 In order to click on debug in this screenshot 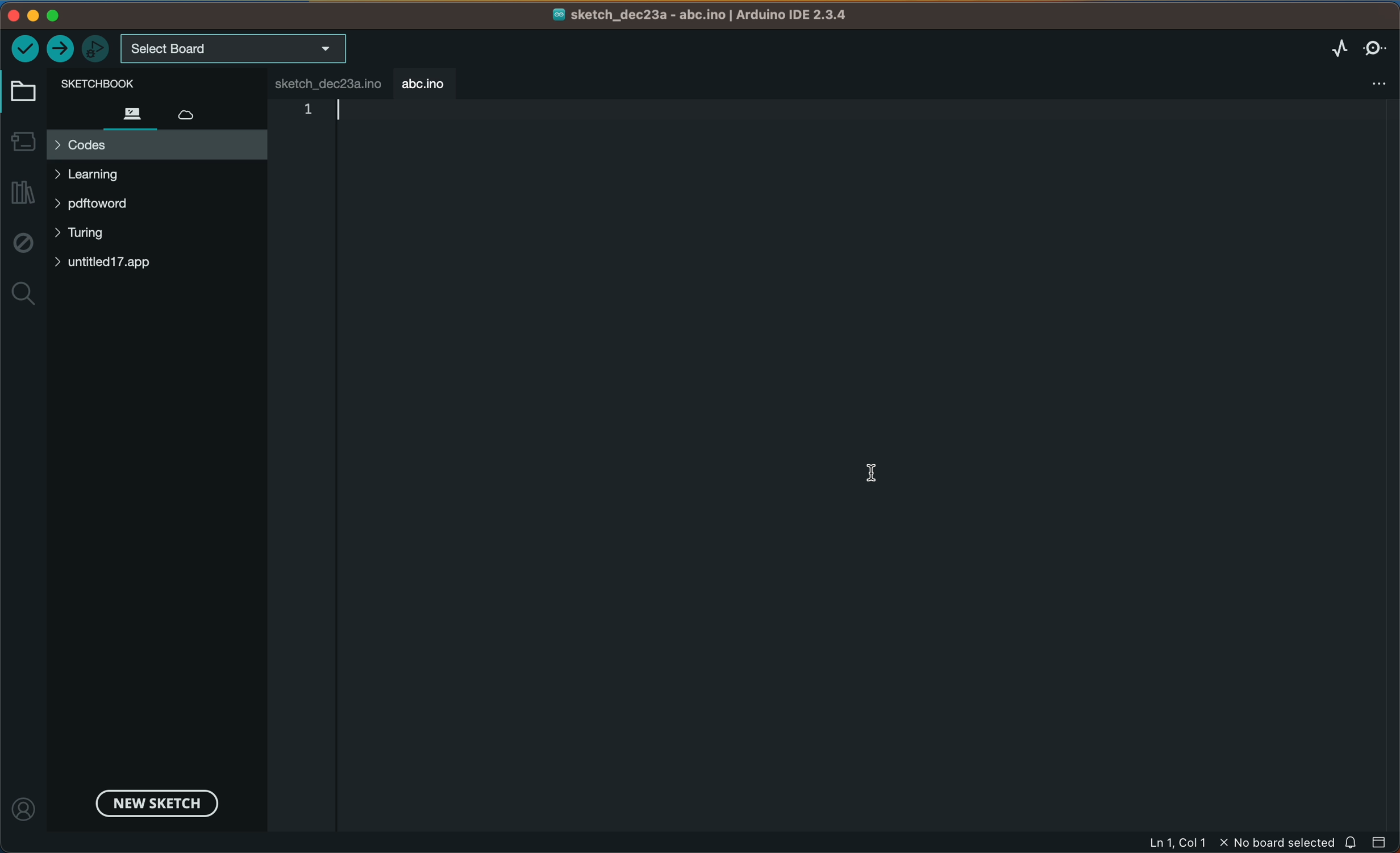, I will do `click(22, 244)`.